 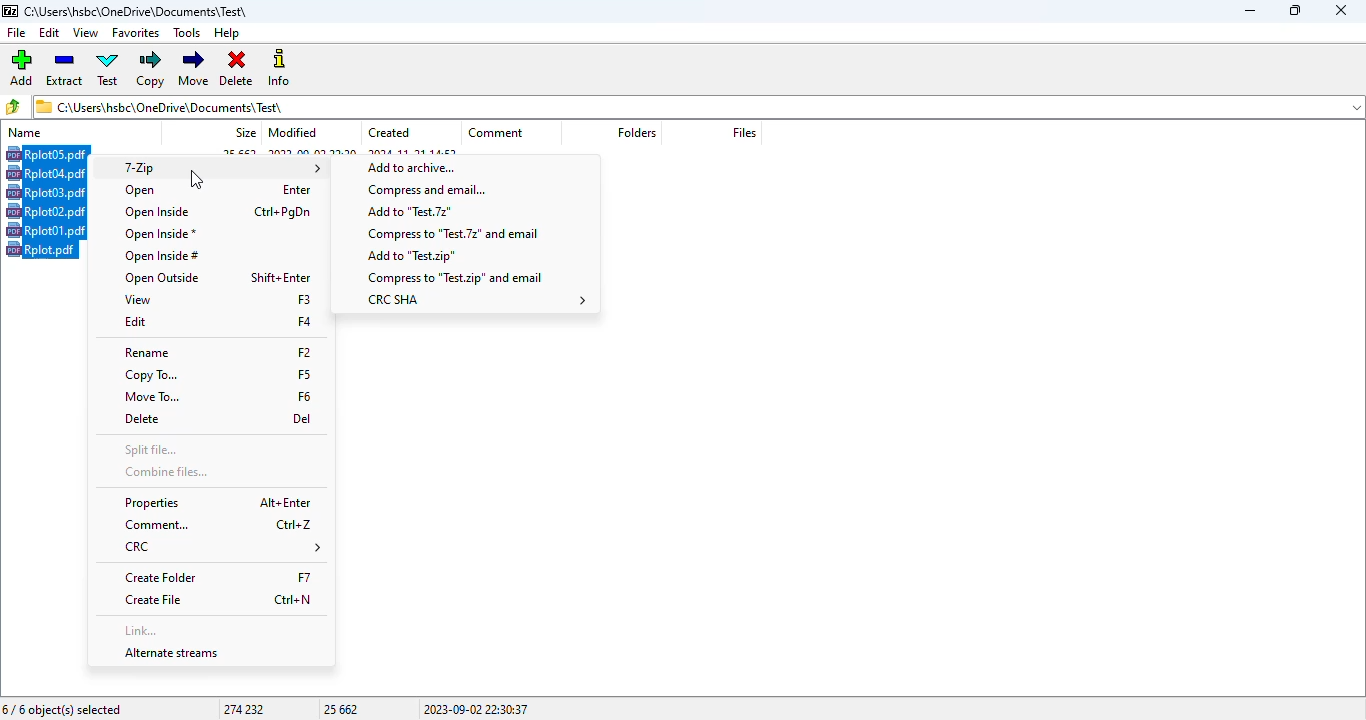 What do you see at coordinates (50, 33) in the screenshot?
I see `edit` at bounding box center [50, 33].